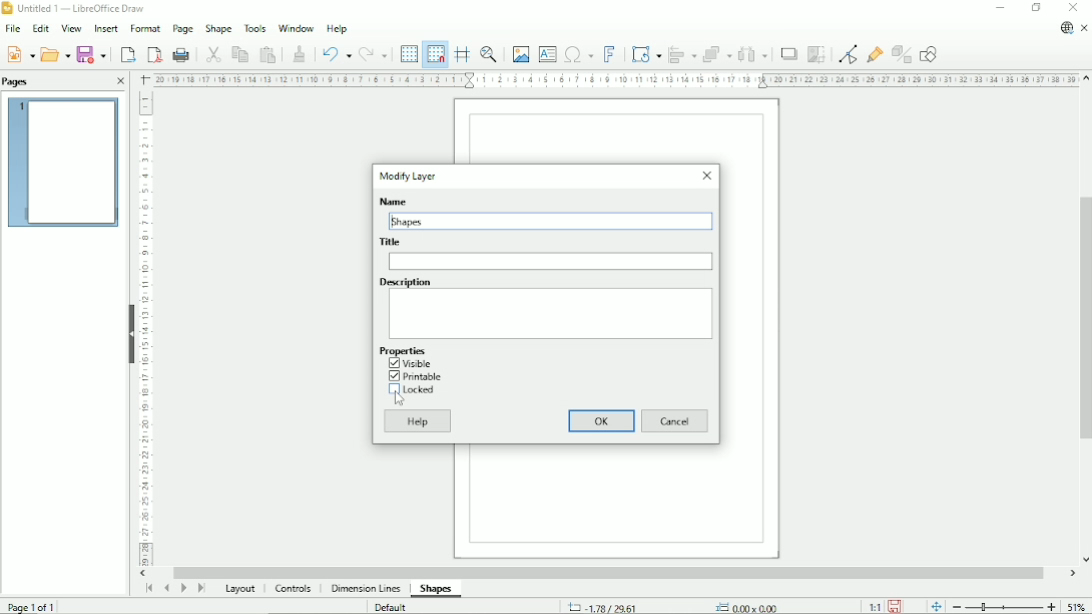 The image size is (1092, 614). Describe the element at coordinates (419, 421) in the screenshot. I see `Help` at that location.